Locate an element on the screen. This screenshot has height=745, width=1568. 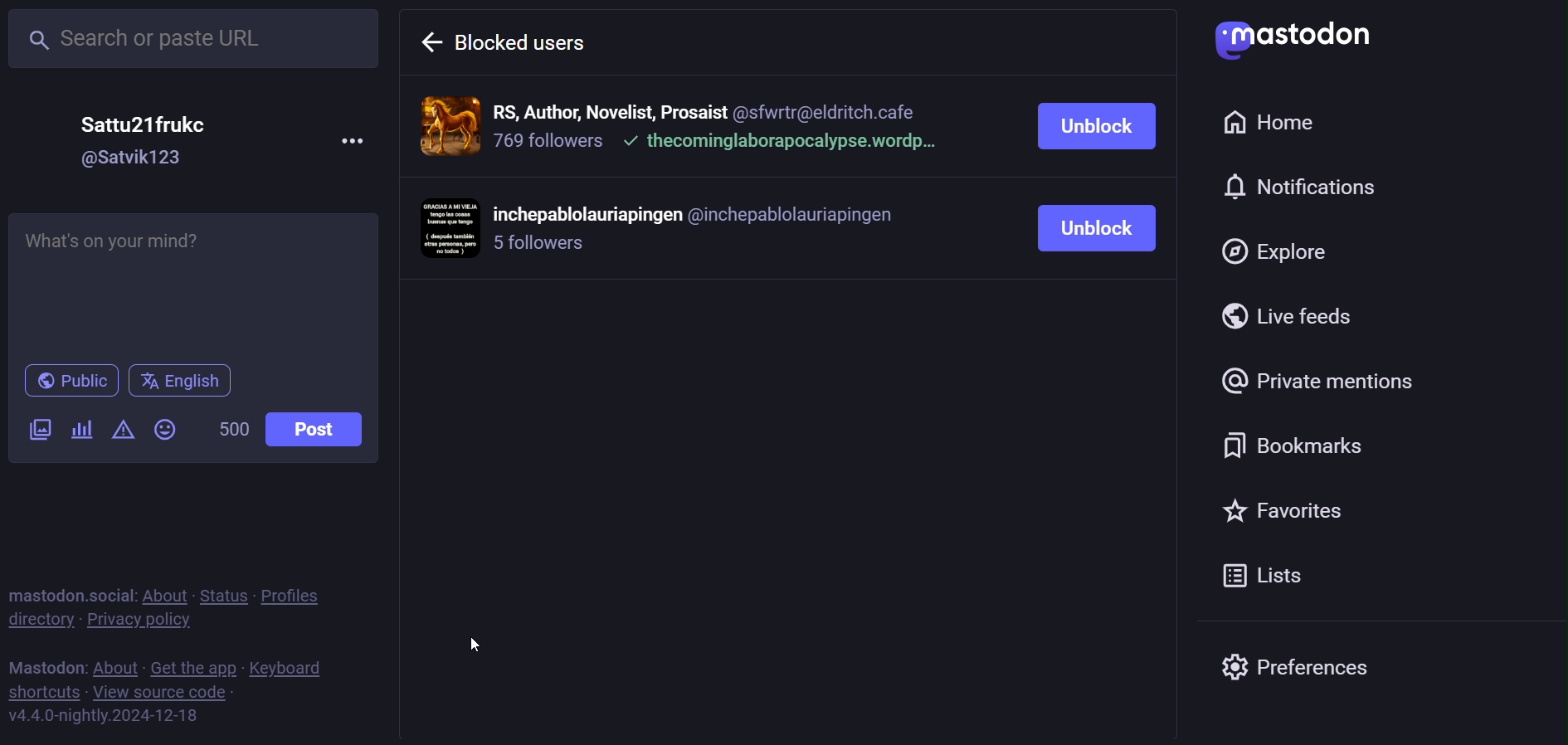
@Satvik123 is located at coordinates (134, 158).